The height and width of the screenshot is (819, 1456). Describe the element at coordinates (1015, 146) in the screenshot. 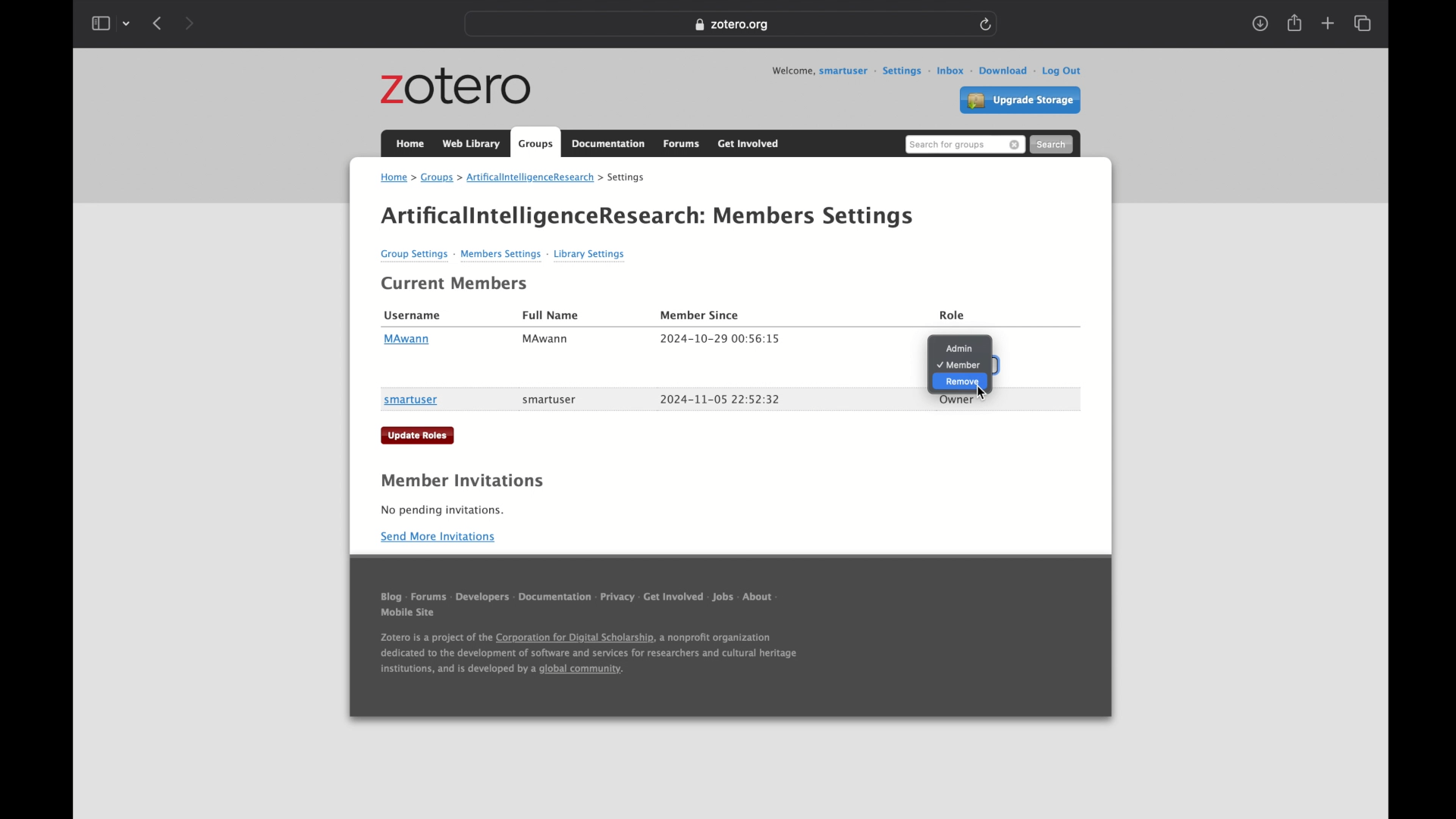

I see `remove` at that location.